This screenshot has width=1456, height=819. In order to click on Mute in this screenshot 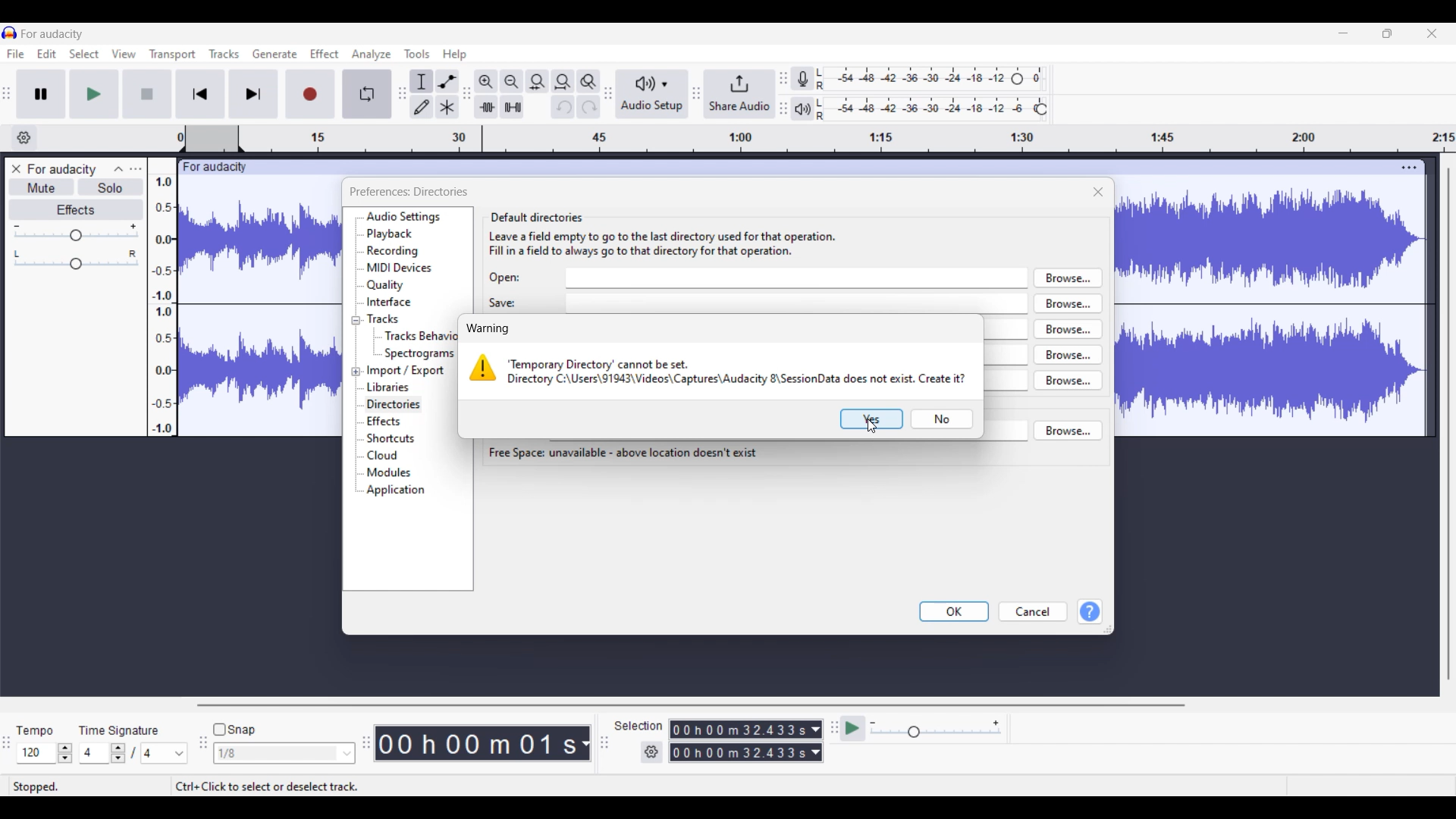, I will do `click(42, 189)`.